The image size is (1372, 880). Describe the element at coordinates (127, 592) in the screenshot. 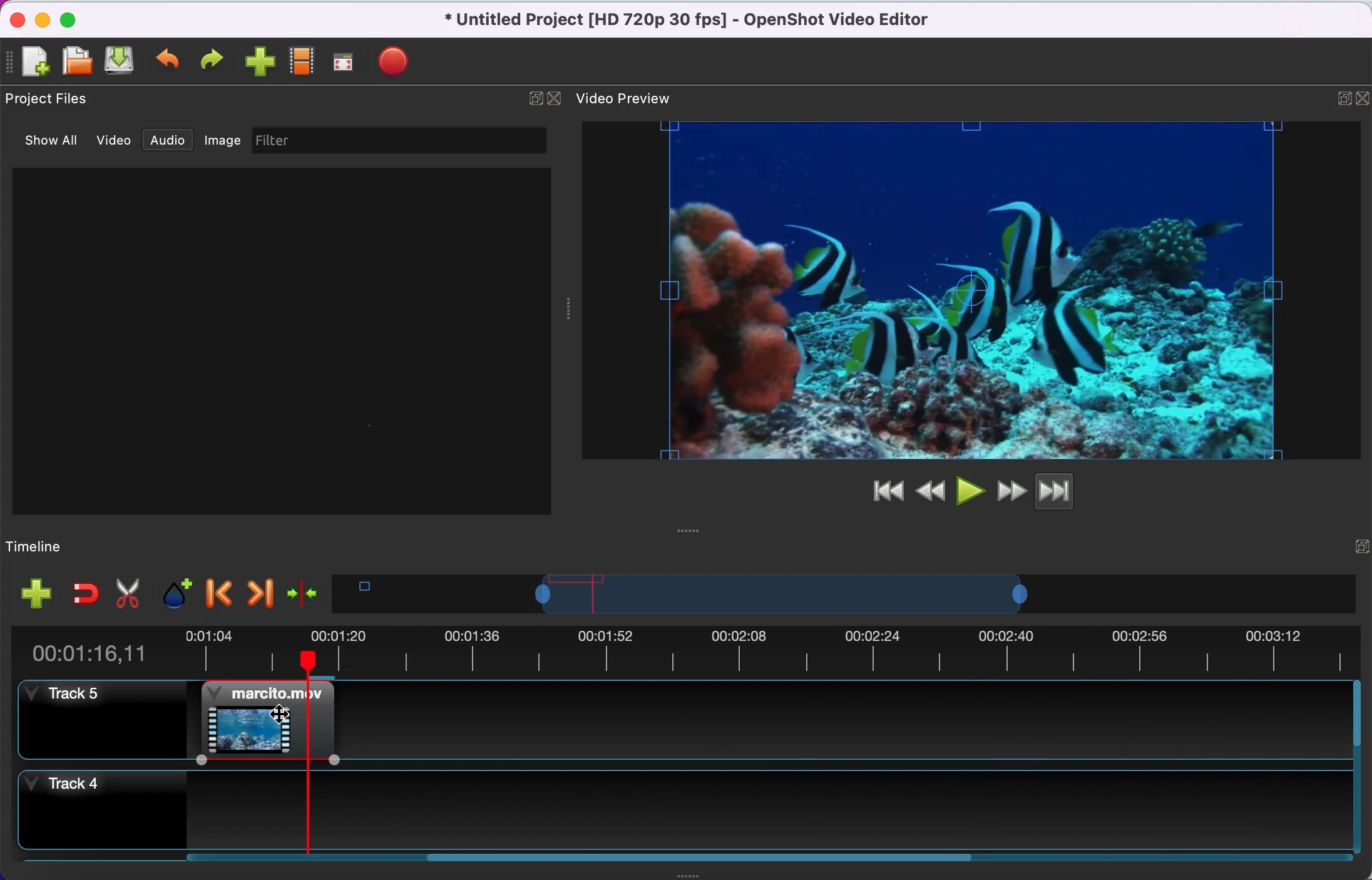

I see `cut` at that location.